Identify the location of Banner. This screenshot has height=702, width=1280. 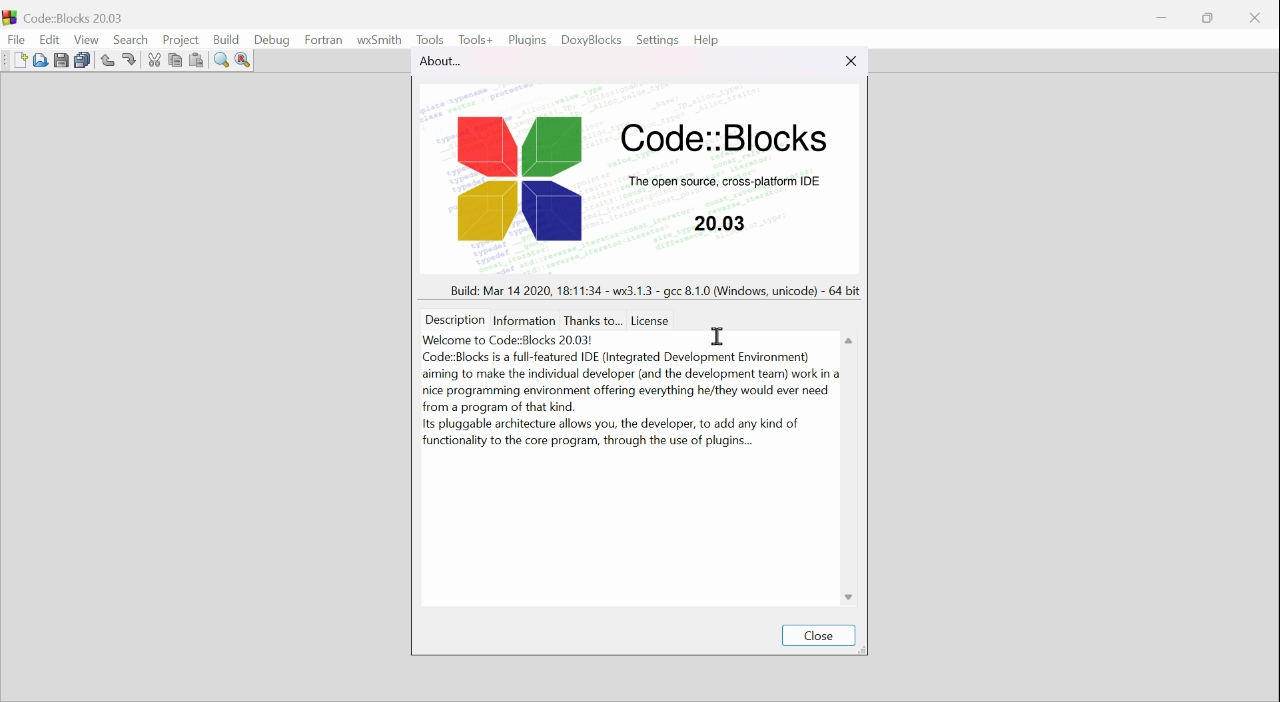
(630, 181).